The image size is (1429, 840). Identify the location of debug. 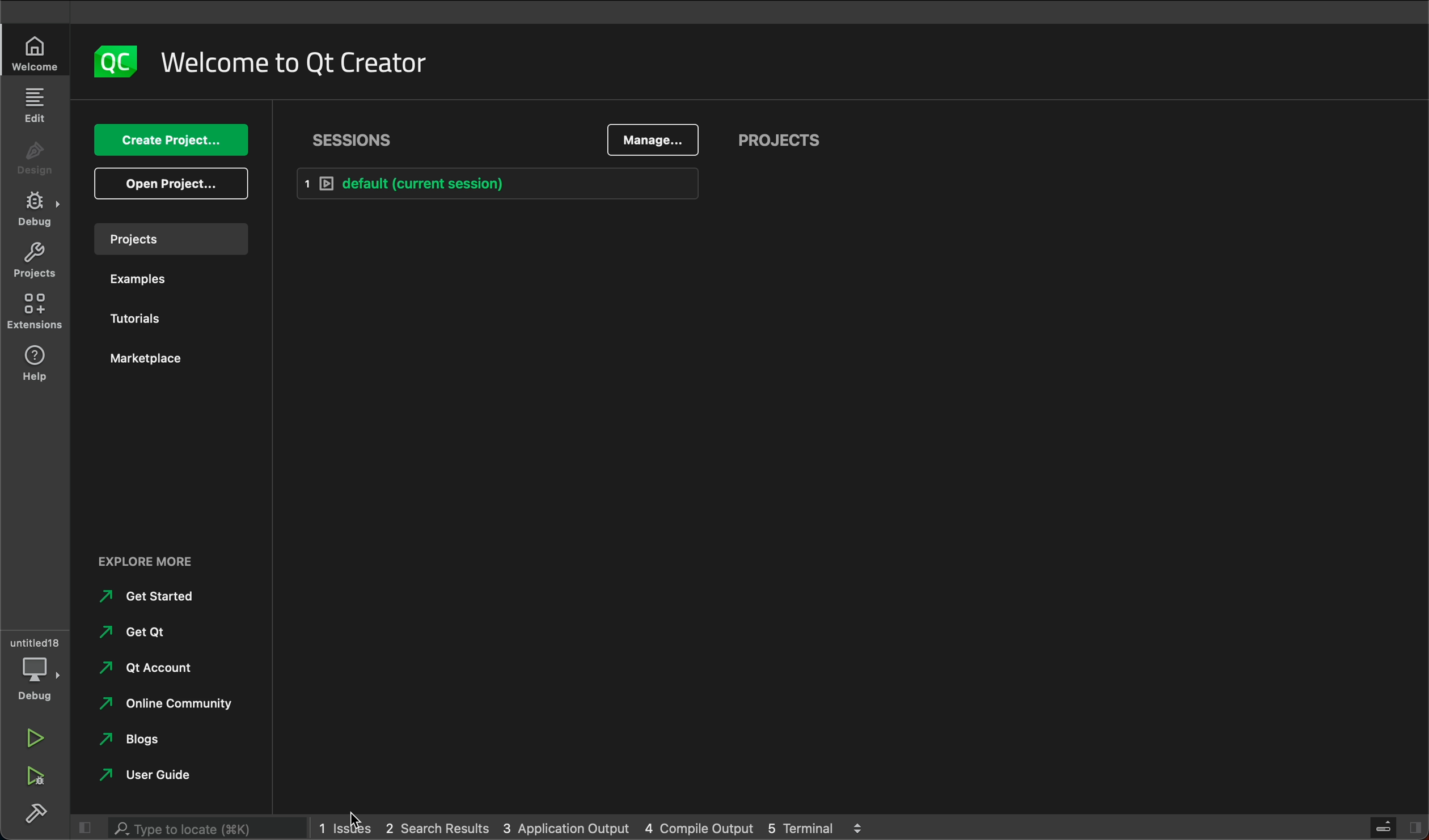
(39, 209).